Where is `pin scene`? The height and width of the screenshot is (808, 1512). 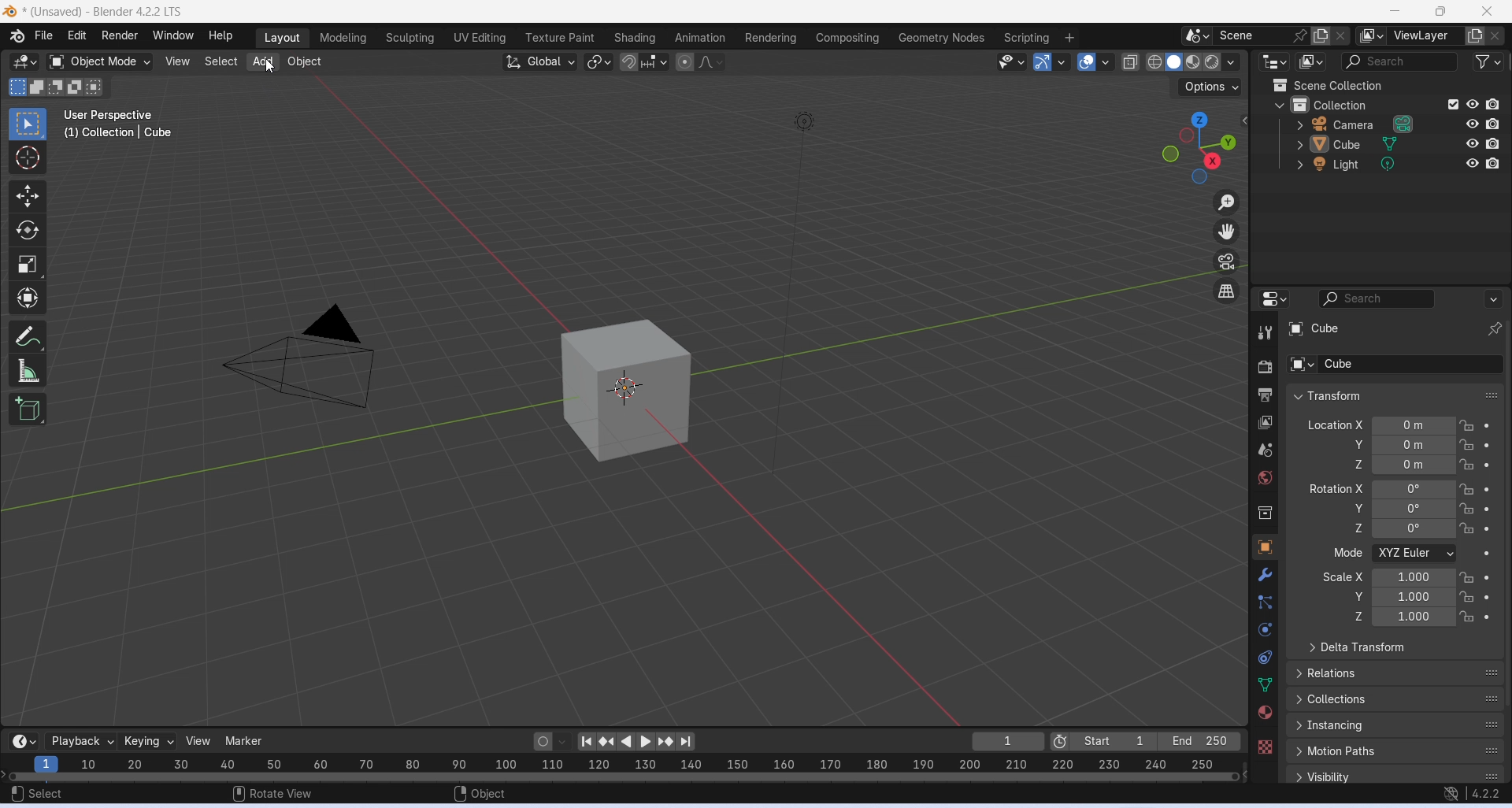
pin scene is located at coordinates (1302, 35).